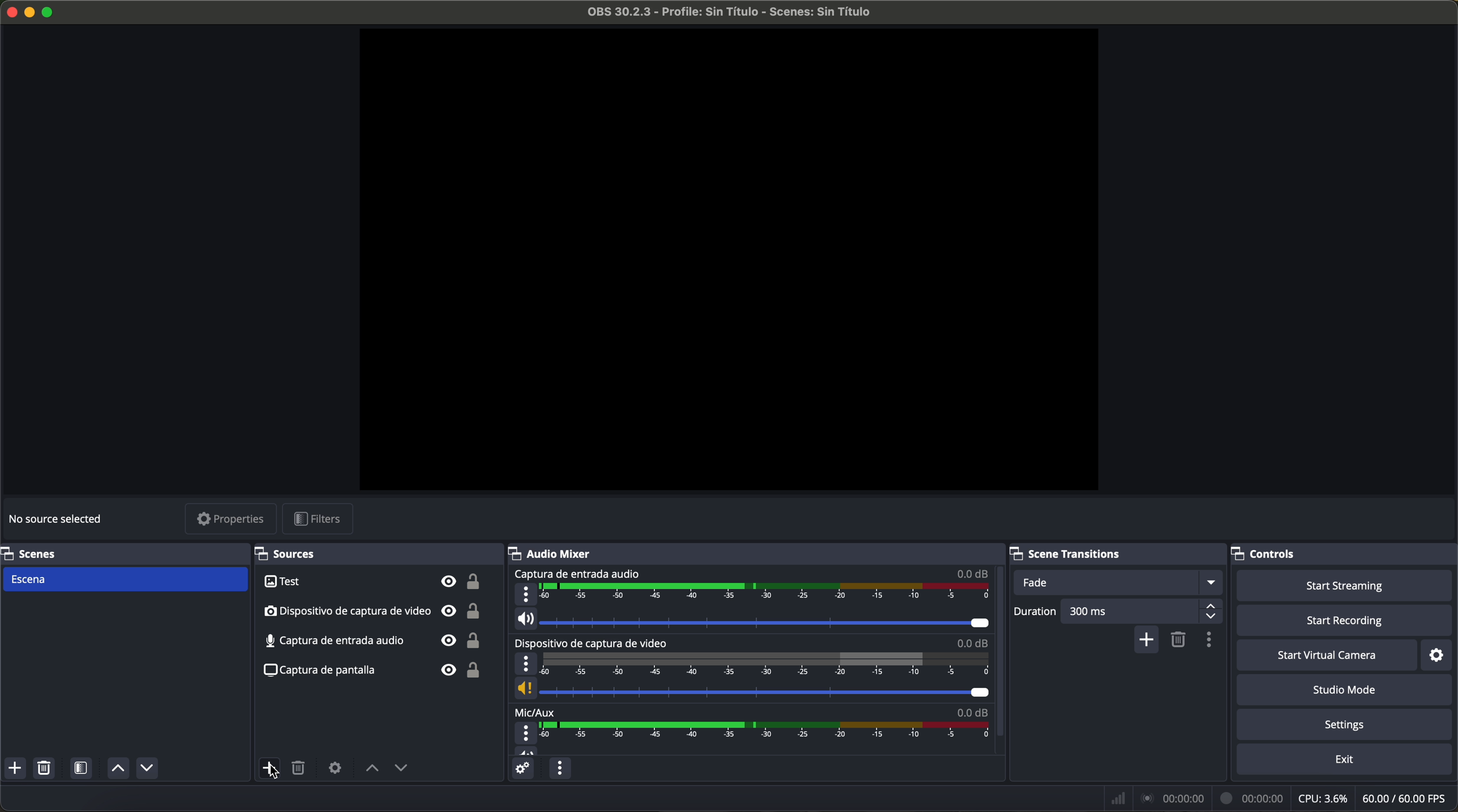 This screenshot has width=1458, height=812. What do you see at coordinates (232, 518) in the screenshot?
I see `properties` at bounding box center [232, 518].